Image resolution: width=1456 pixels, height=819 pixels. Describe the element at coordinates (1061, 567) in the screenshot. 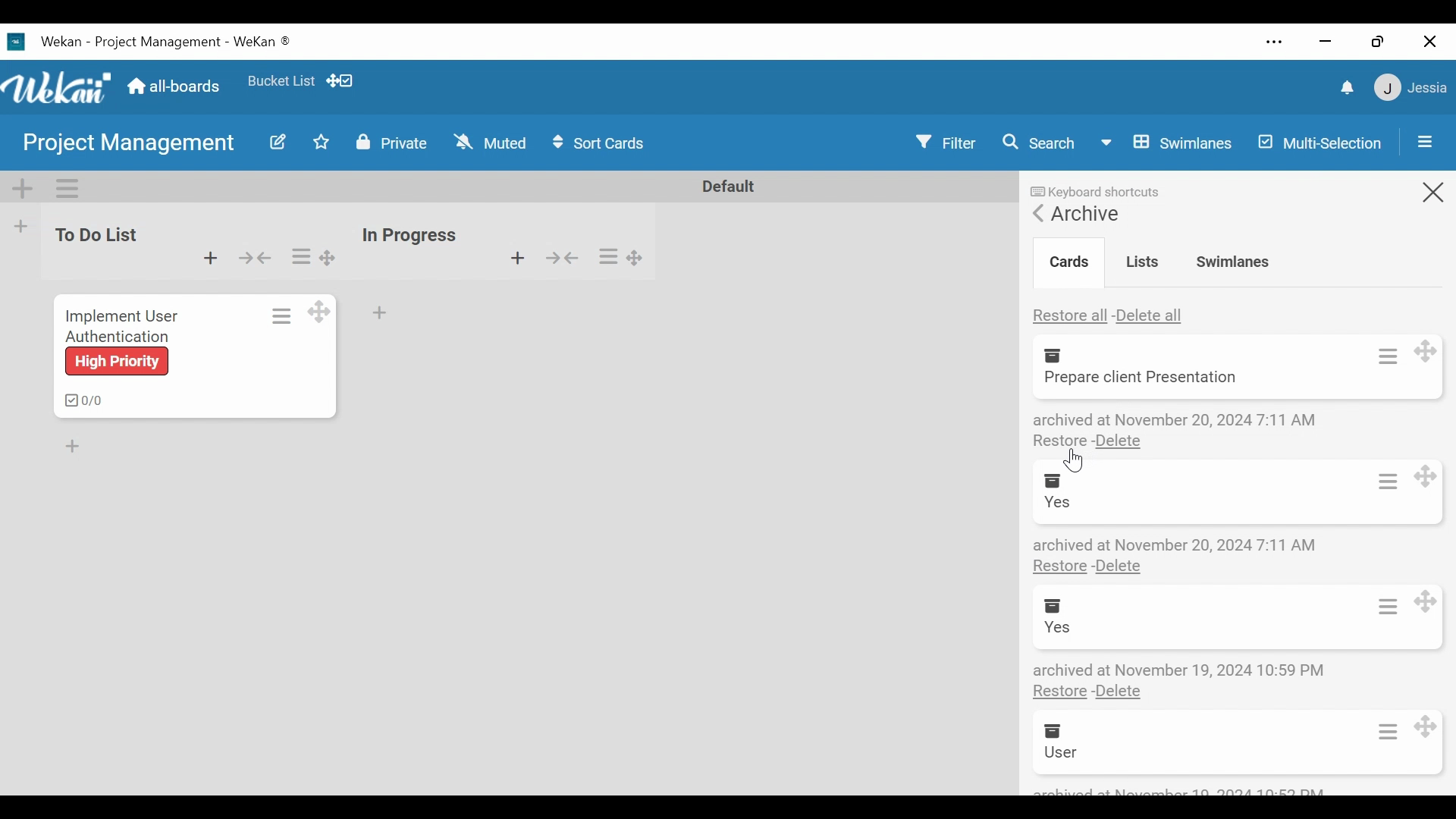

I see `Restore` at that location.